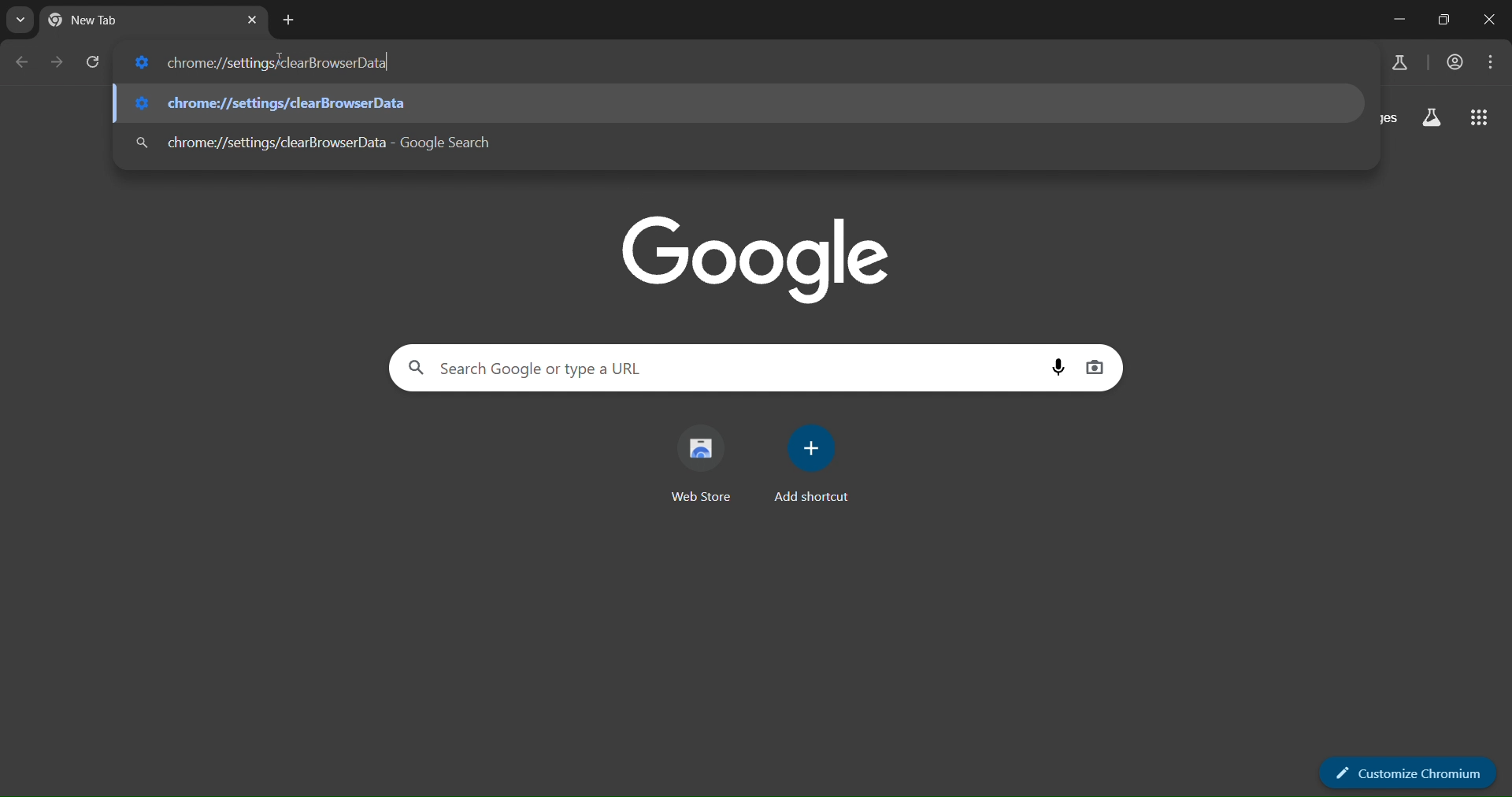 This screenshot has width=1512, height=797. I want to click on customize chromium, so click(1410, 773).